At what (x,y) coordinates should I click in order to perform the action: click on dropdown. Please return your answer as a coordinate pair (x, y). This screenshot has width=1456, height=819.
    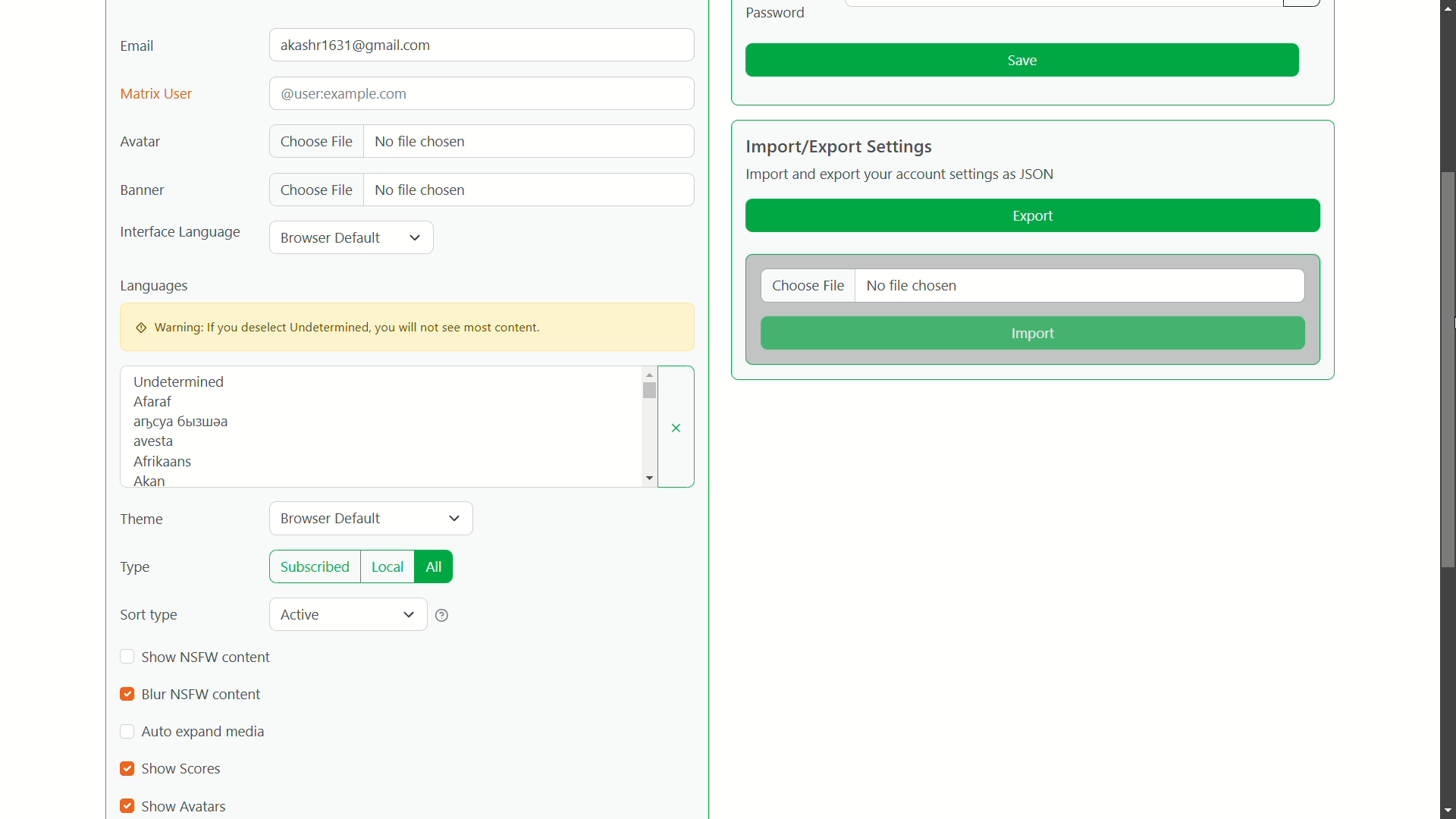
    Looking at the image, I should click on (648, 391).